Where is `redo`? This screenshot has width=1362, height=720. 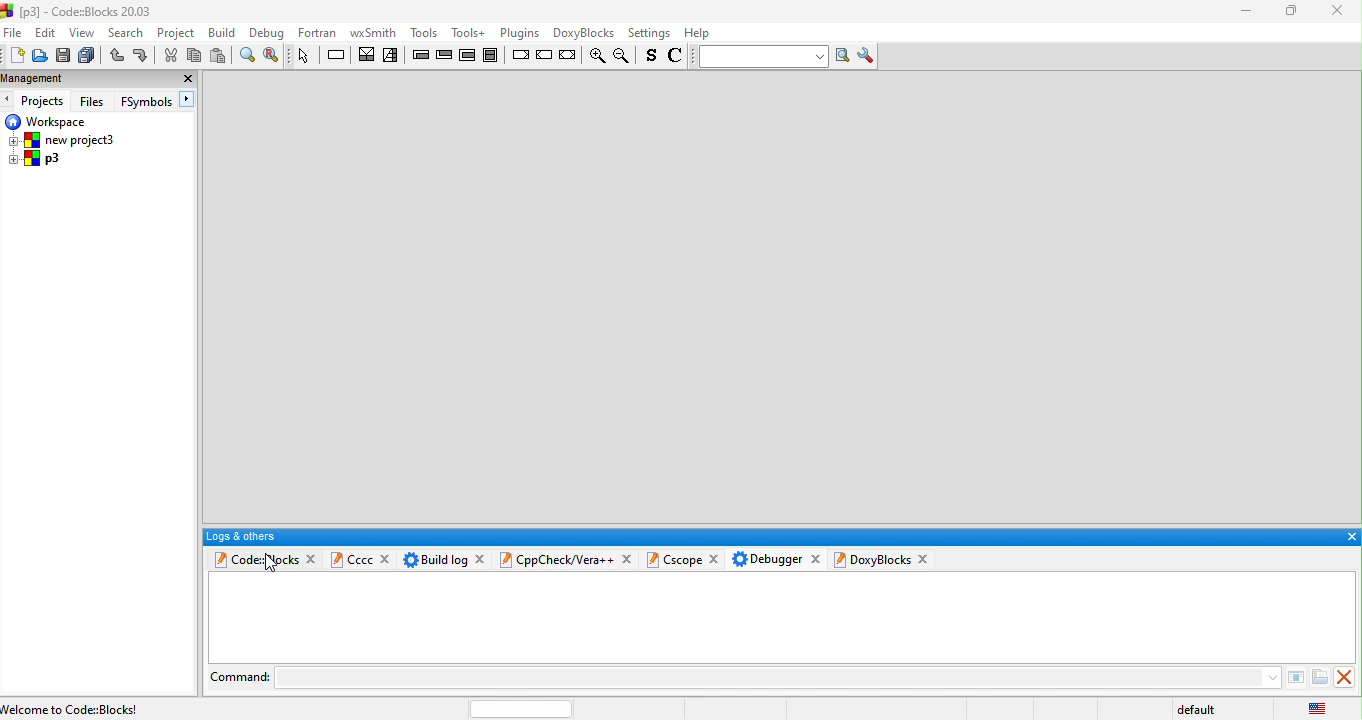 redo is located at coordinates (143, 56).